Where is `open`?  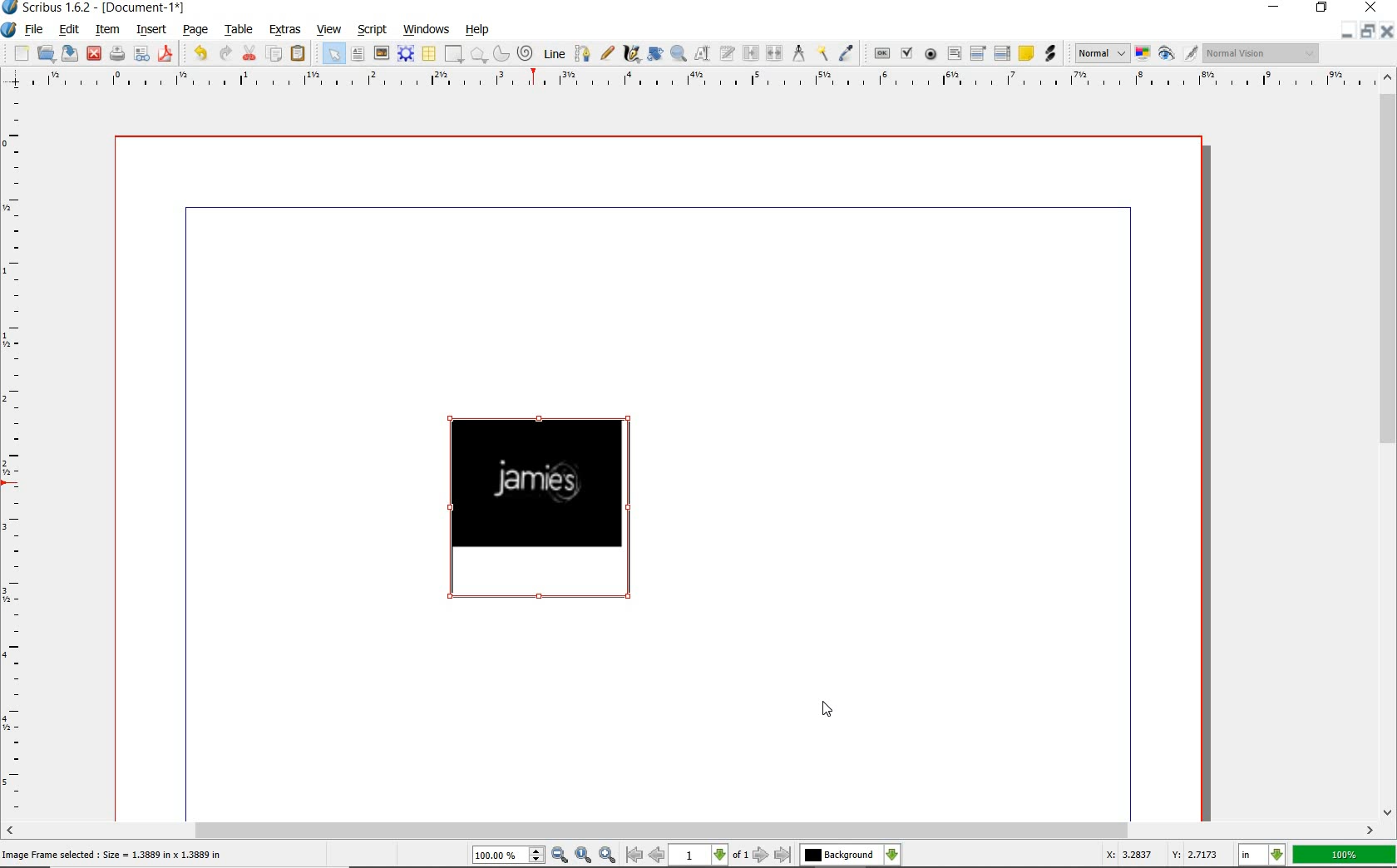
open is located at coordinates (46, 53).